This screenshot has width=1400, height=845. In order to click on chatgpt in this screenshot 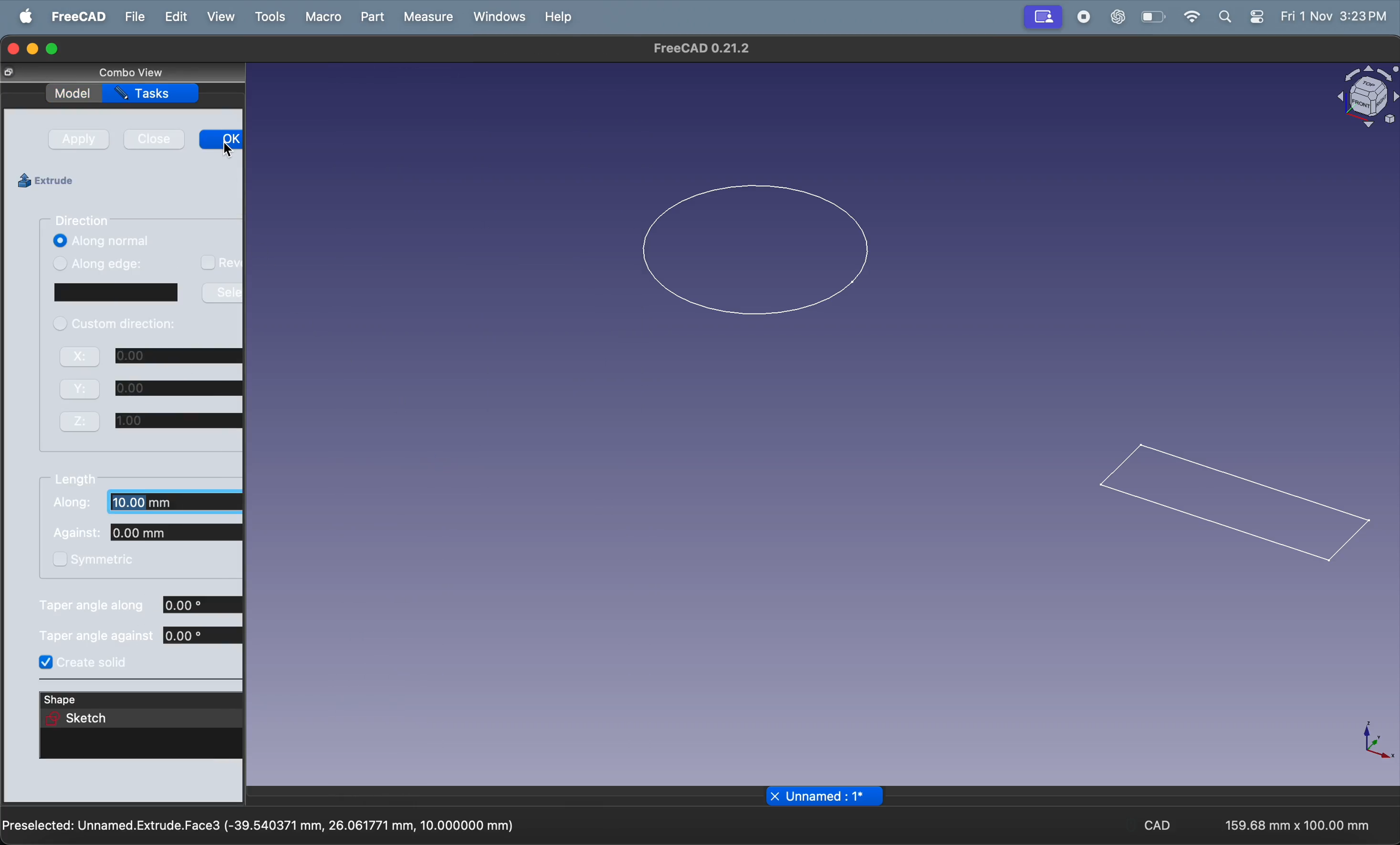, I will do `click(1118, 16)`.